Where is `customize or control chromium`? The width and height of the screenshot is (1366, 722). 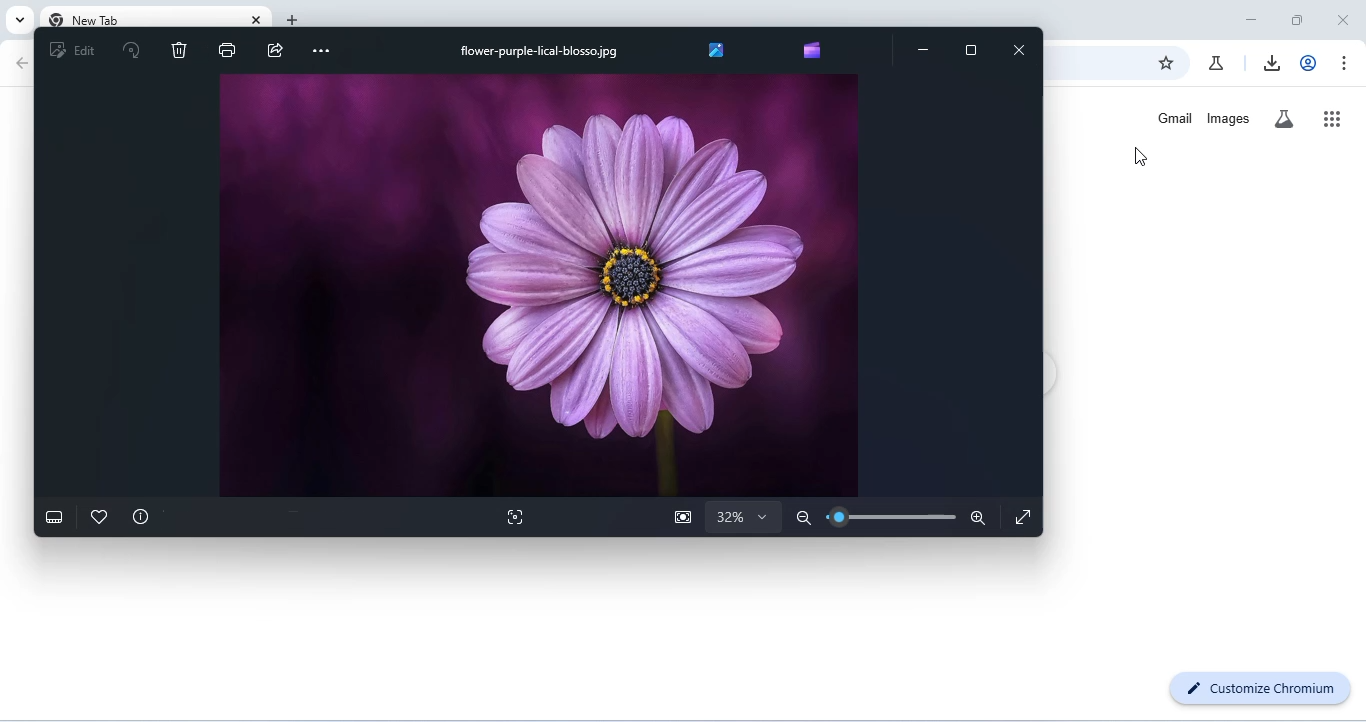
customize or control chromium is located at coordinates (1343, 61).